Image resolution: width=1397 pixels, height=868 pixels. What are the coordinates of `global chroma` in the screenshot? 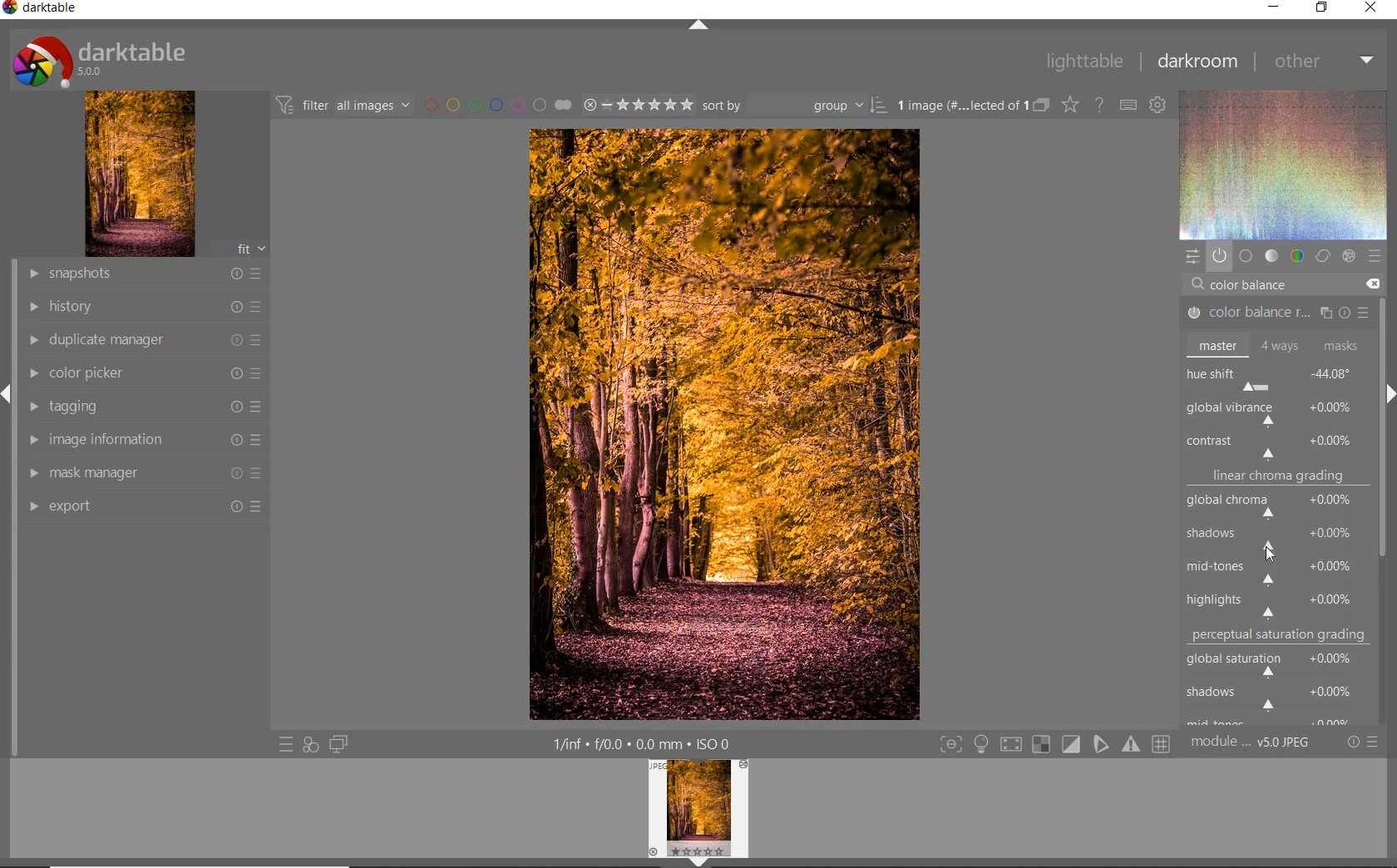 It's located at (1279, 508).